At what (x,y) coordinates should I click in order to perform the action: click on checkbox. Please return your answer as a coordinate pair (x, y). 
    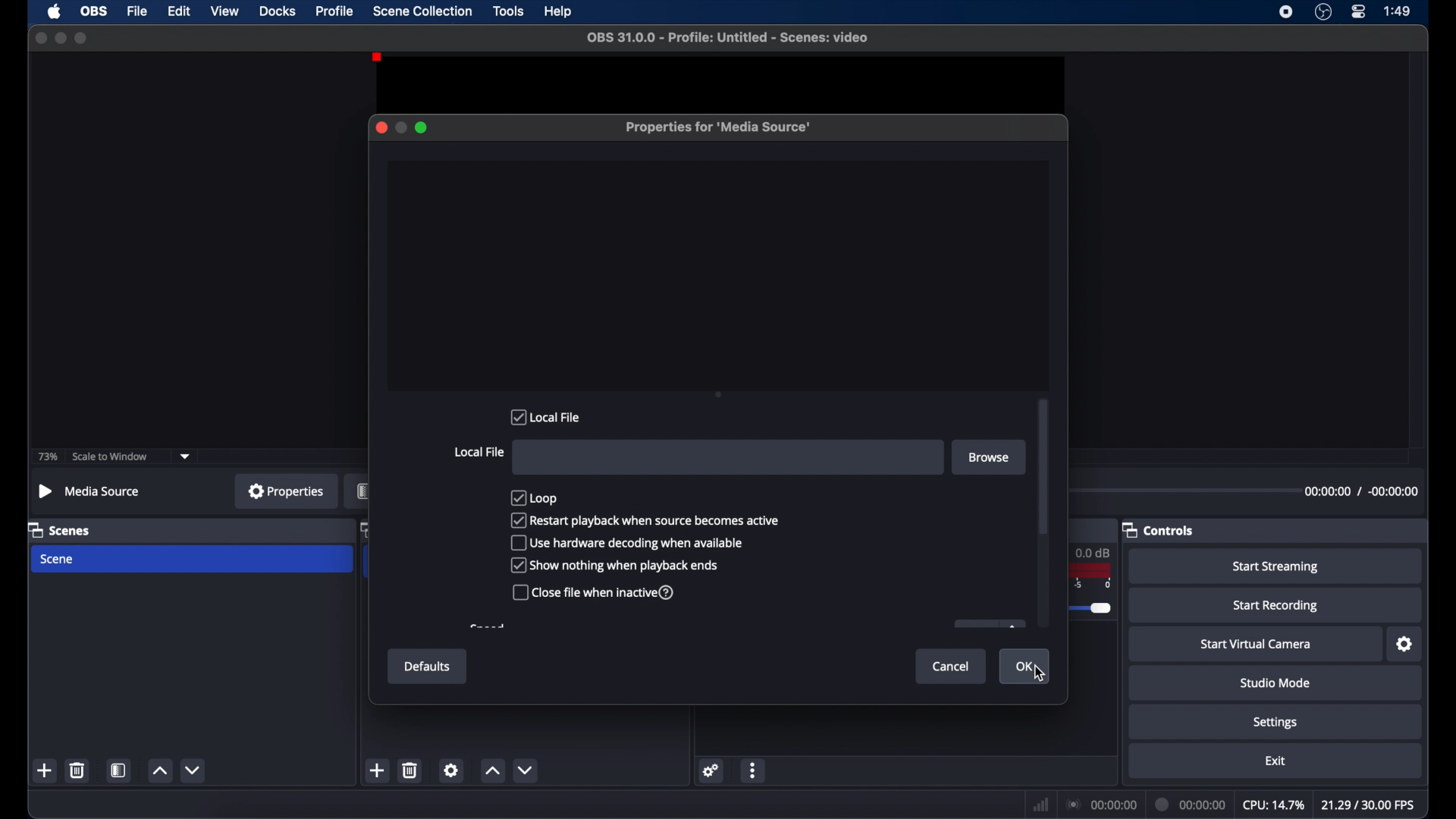
    Looking at the image, I should click on (614, 566).